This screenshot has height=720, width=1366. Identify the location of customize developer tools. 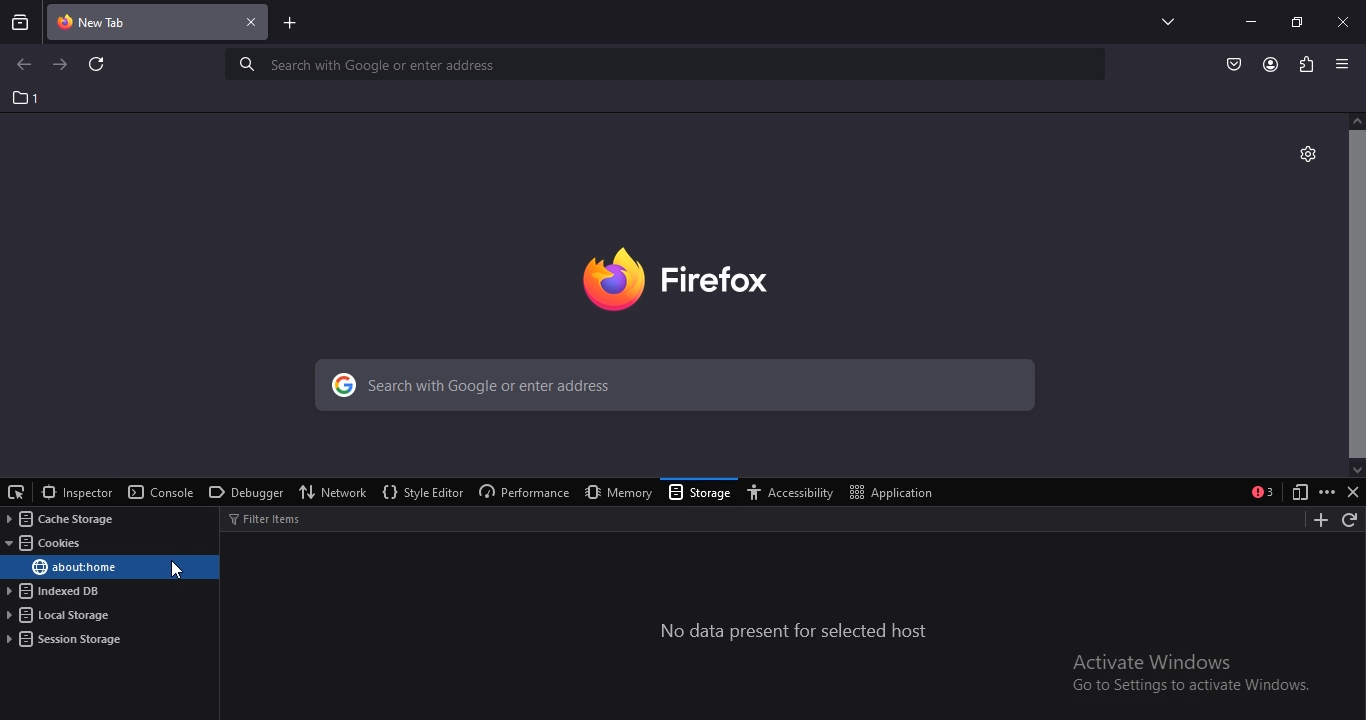
(1327, 492).